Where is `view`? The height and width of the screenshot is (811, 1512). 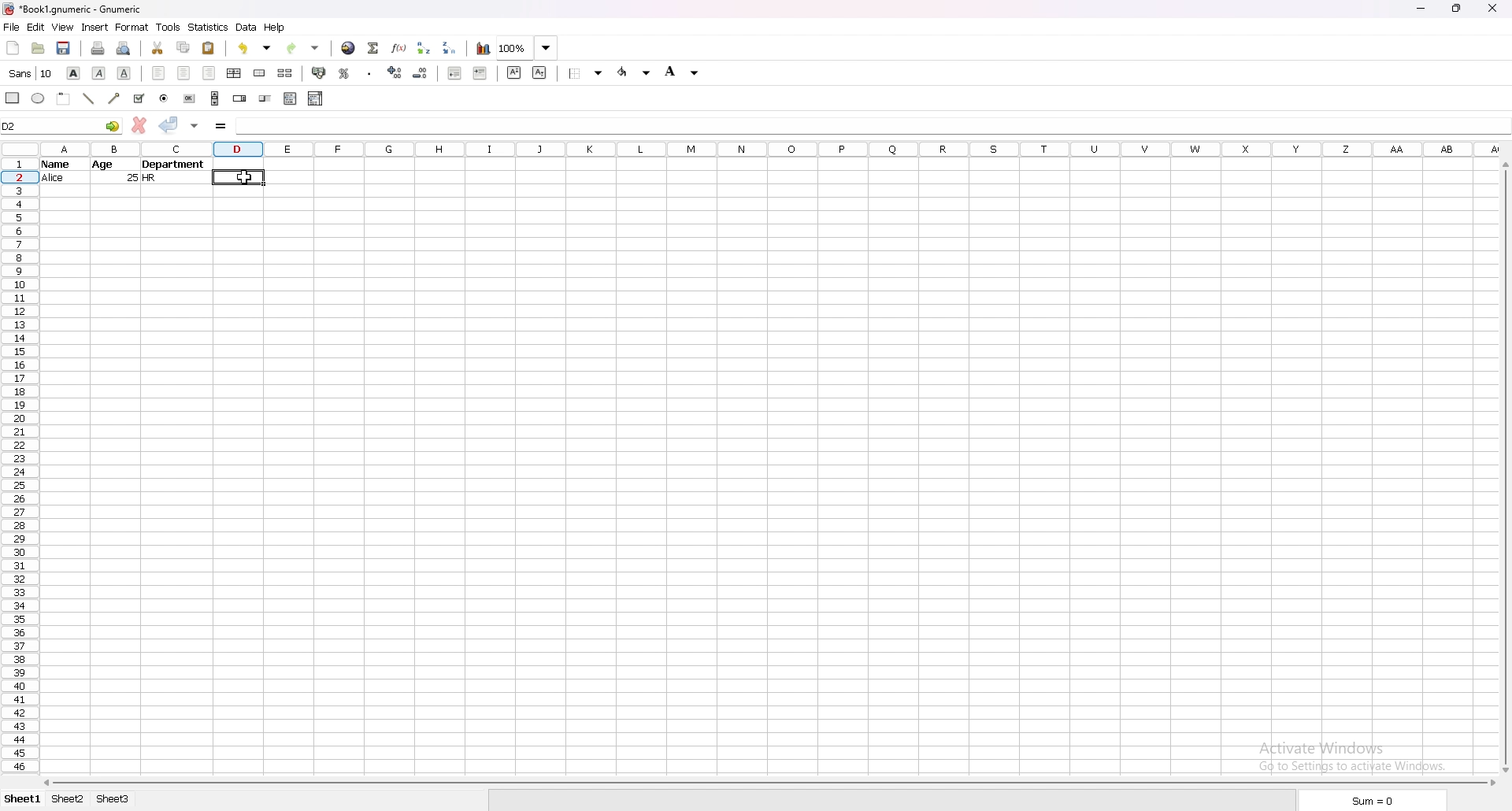 view is located at coordinates (63, 28).